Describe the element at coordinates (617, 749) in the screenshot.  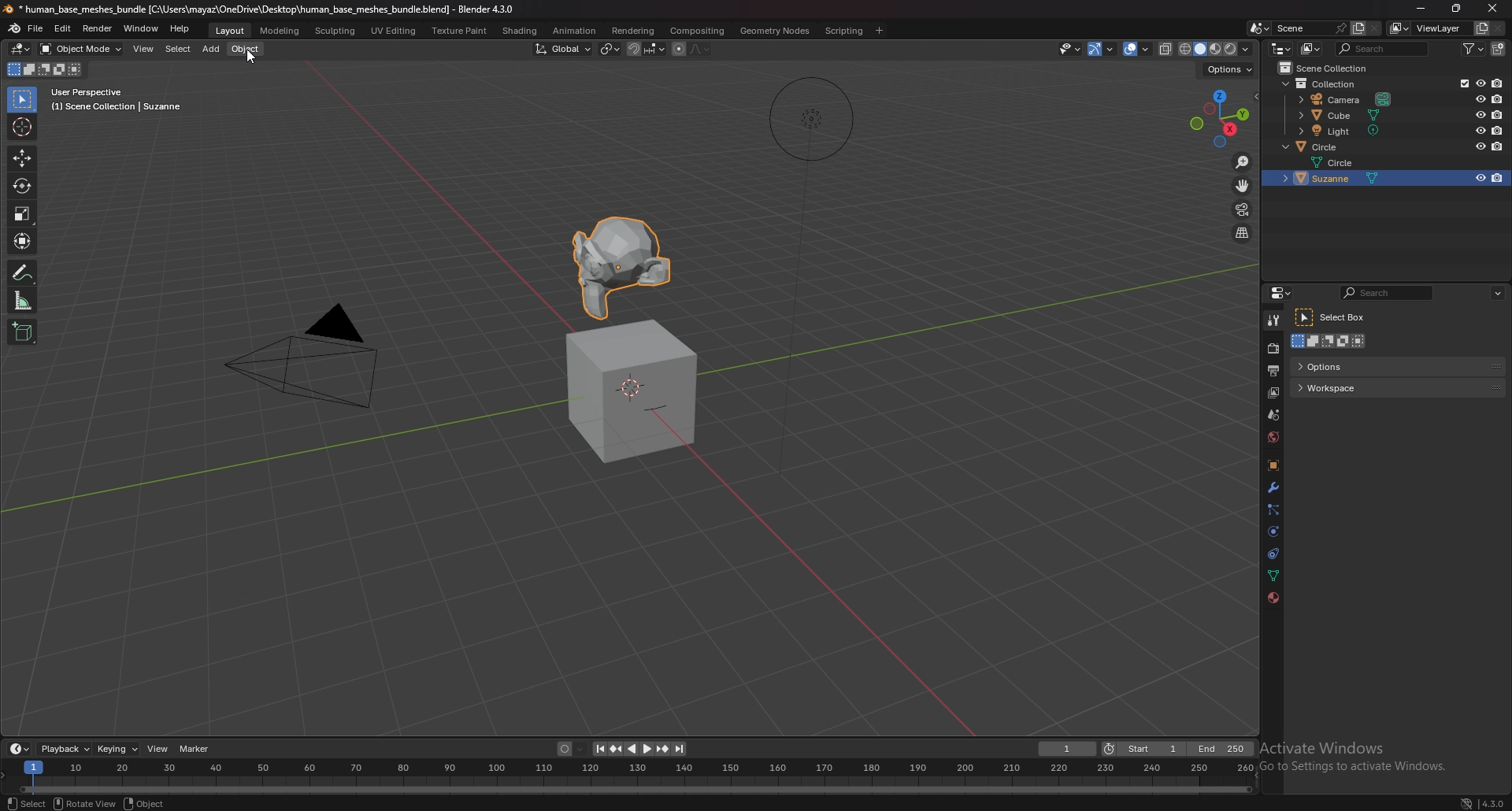
I see `jump to keyframe` at that location.